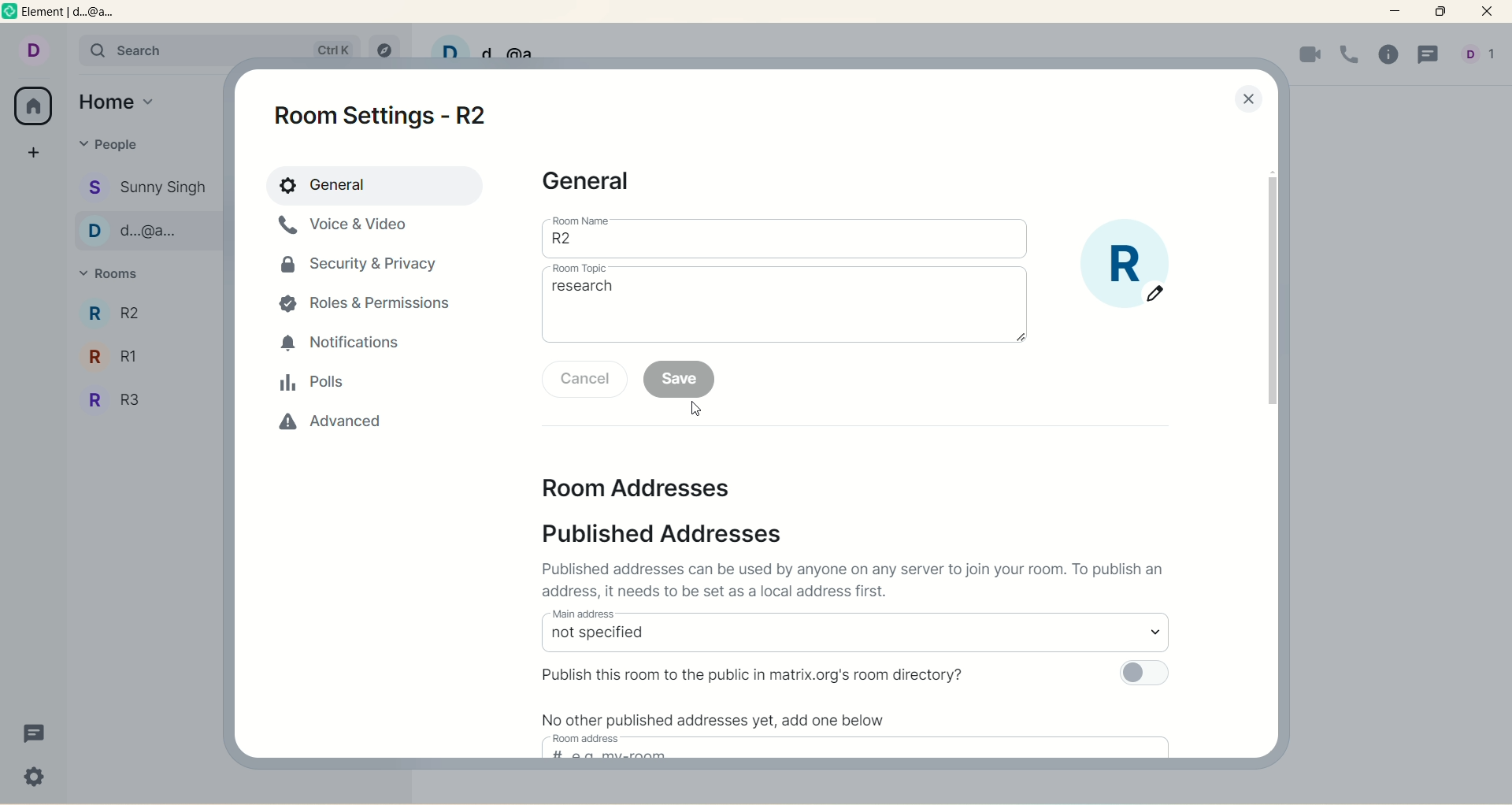  I want to click on vertical scroll bar, so click(1269, 292).